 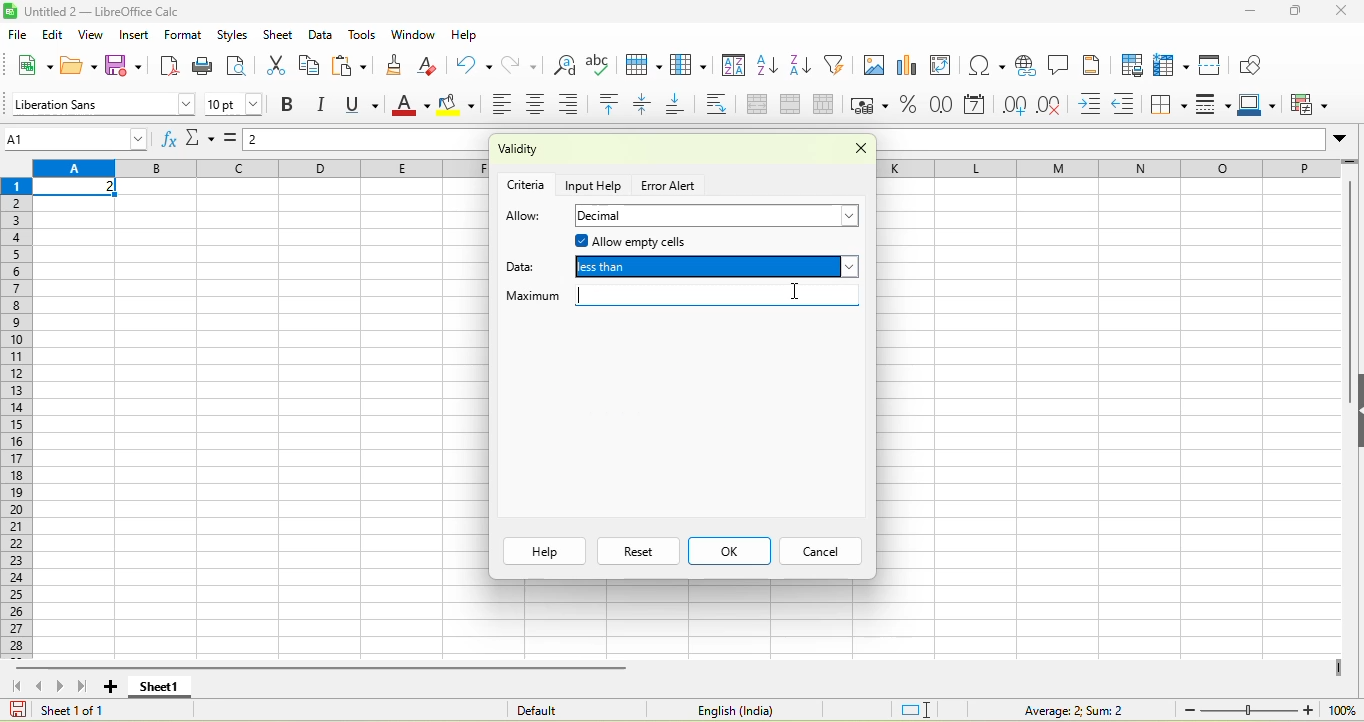 I want to click on column, so click(x=692, y=66).